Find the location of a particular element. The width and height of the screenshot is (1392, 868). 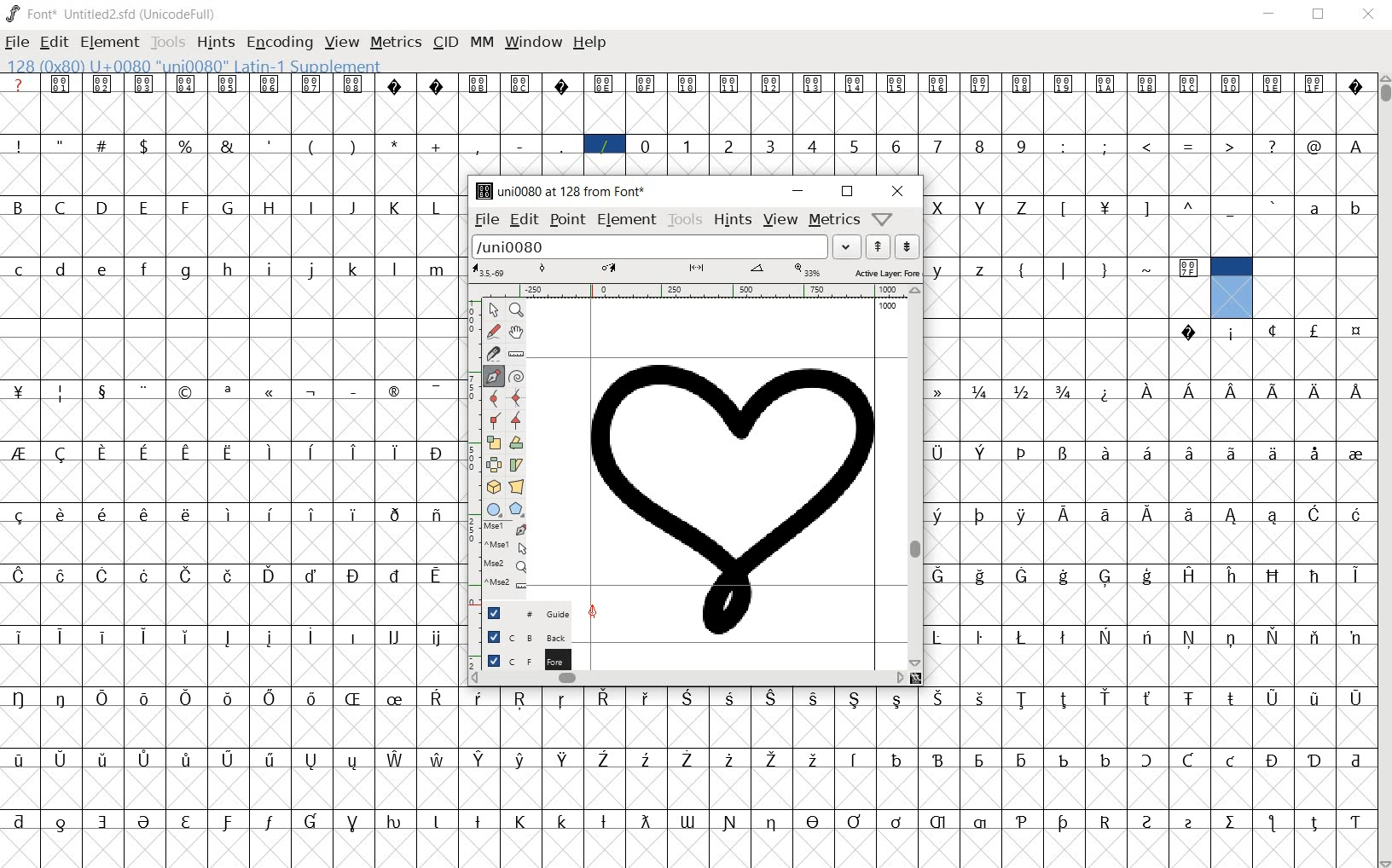

glyph is located at coordinates (1273, 84).